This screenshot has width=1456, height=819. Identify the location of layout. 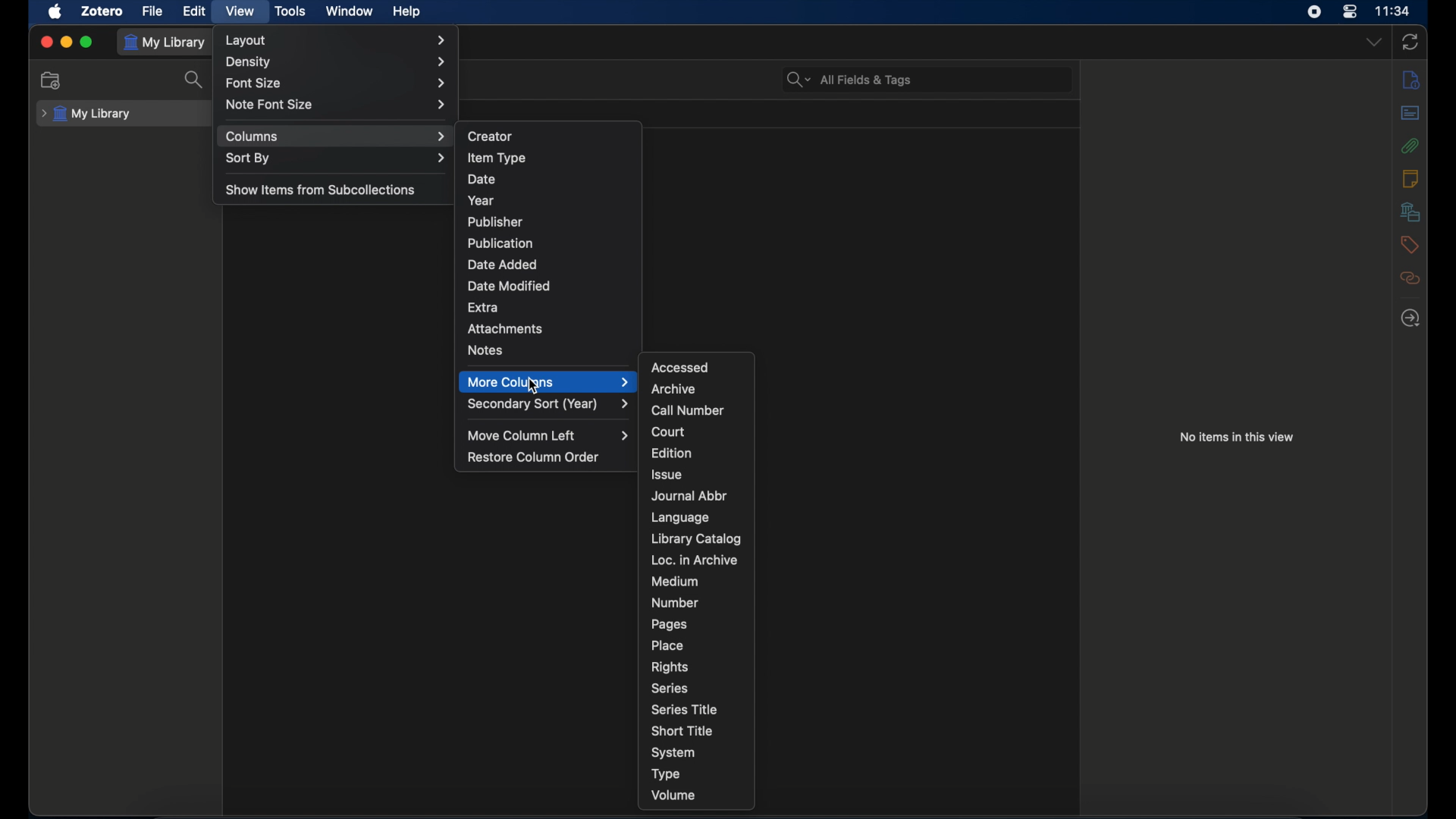
(335, 40).